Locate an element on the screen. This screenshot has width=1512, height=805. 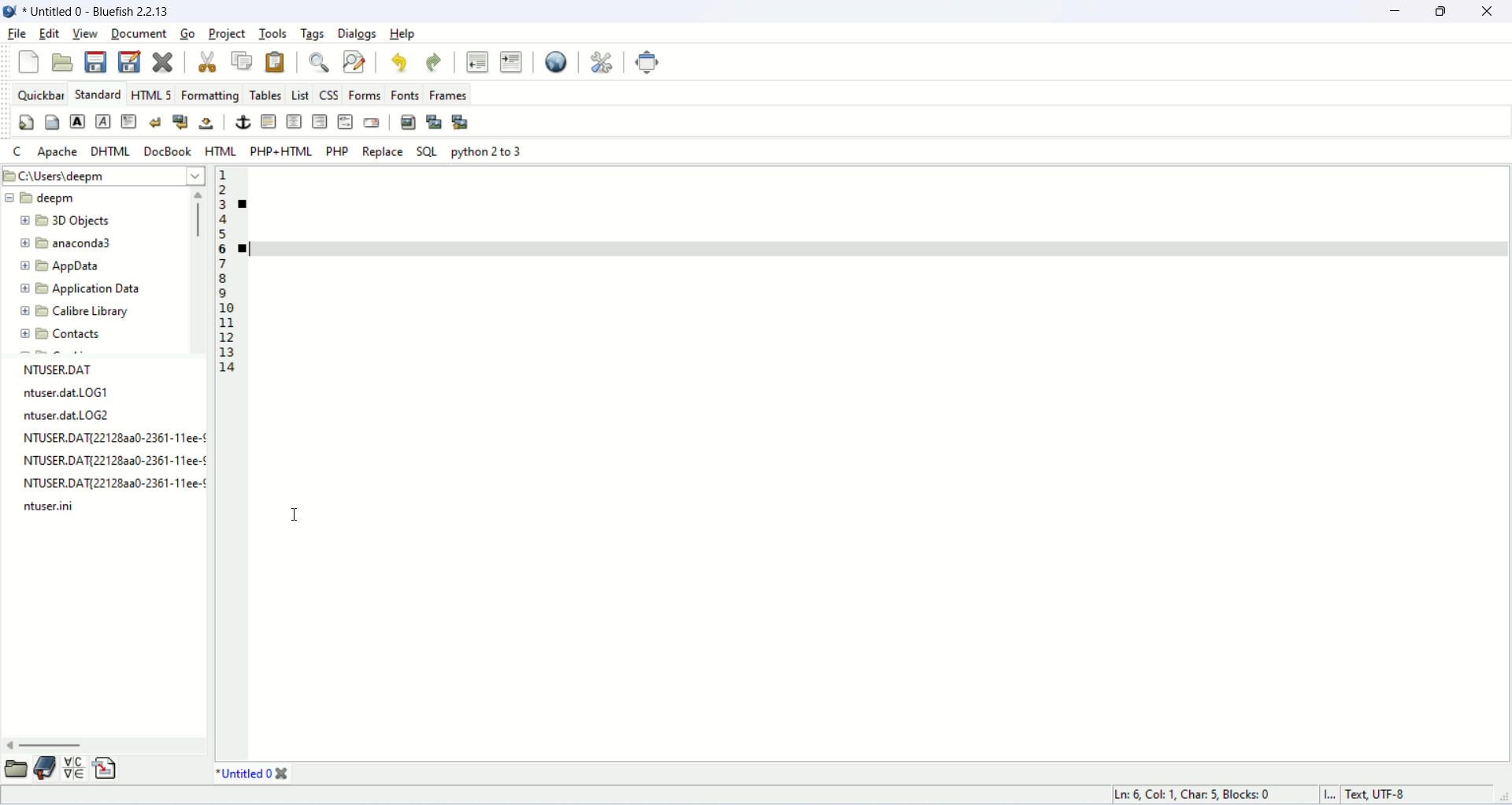
project is located at coordinates (227, 34).